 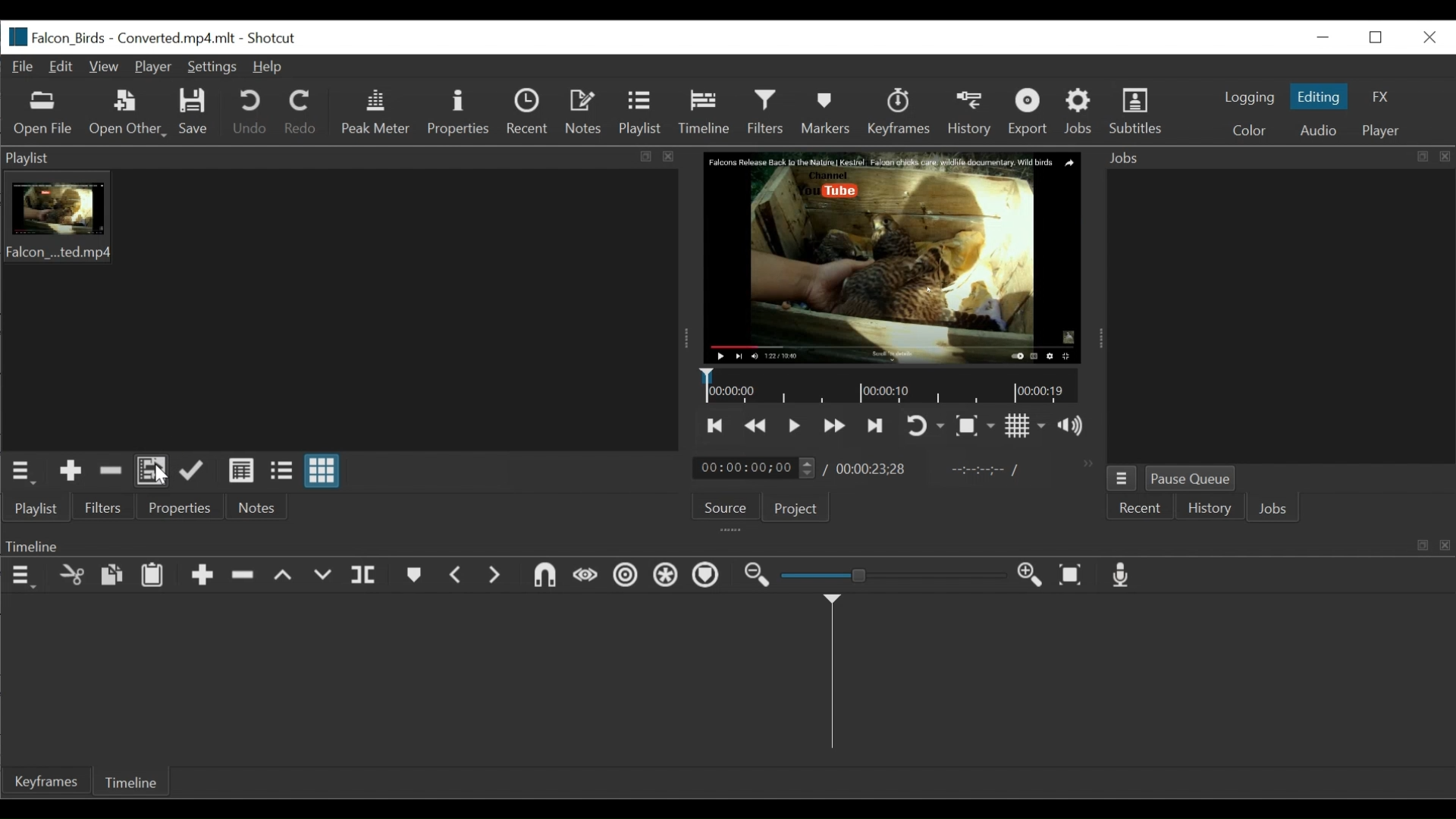 I want to click on Markers, so click(x=826, y=114).